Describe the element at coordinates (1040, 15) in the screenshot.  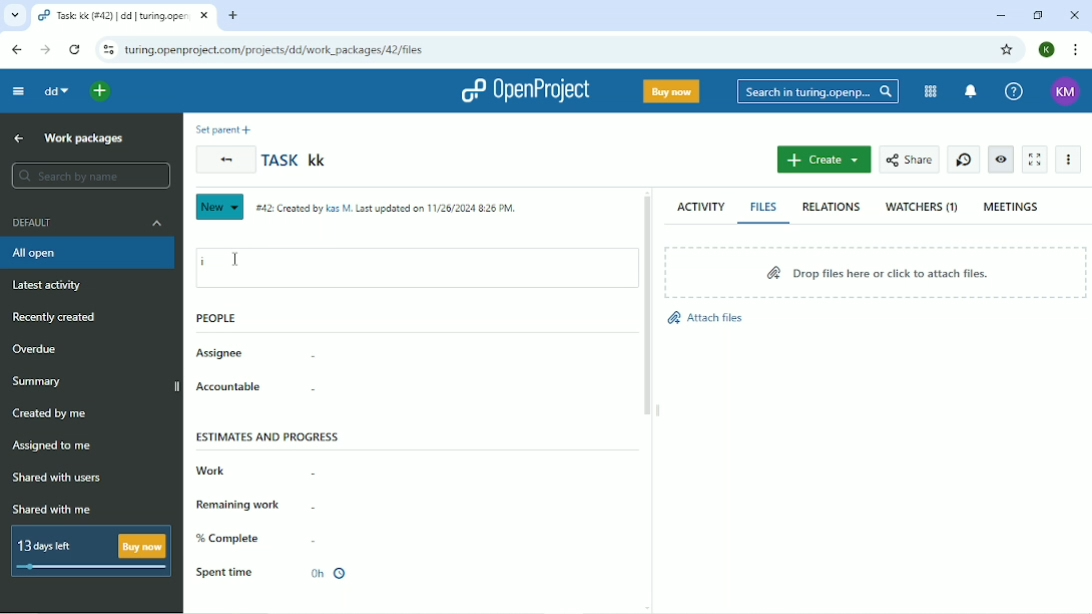
I see `Restore down` at that location.